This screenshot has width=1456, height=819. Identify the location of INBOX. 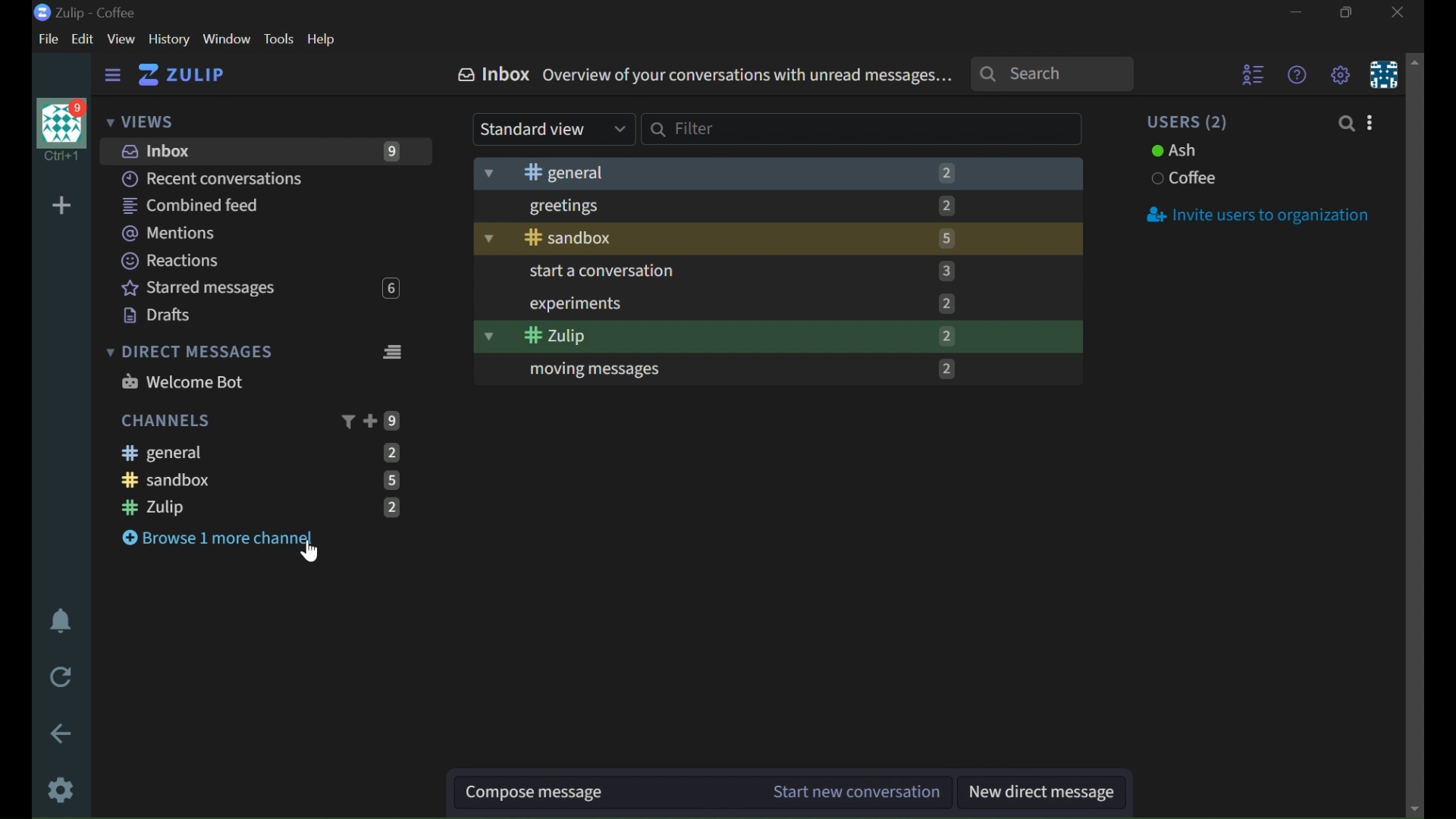
(268, 149).